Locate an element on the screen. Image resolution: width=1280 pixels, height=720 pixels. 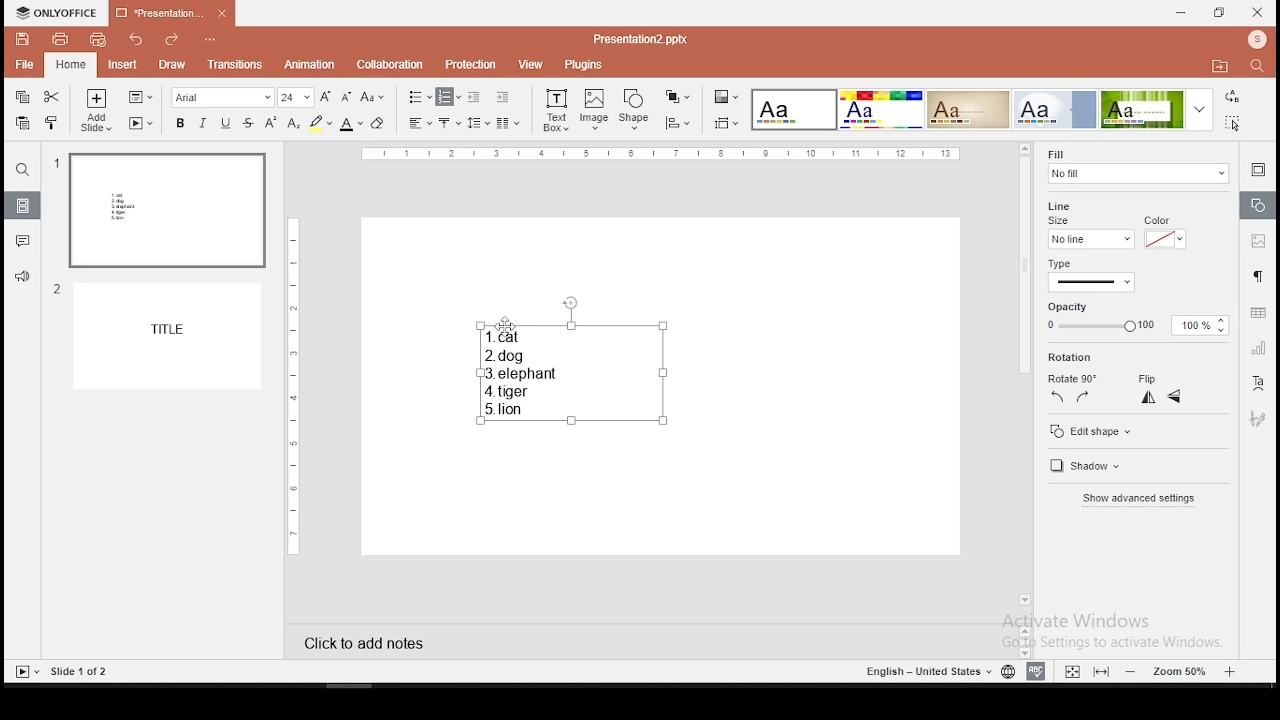
scroll bar is located at coordinates (1024, 376).